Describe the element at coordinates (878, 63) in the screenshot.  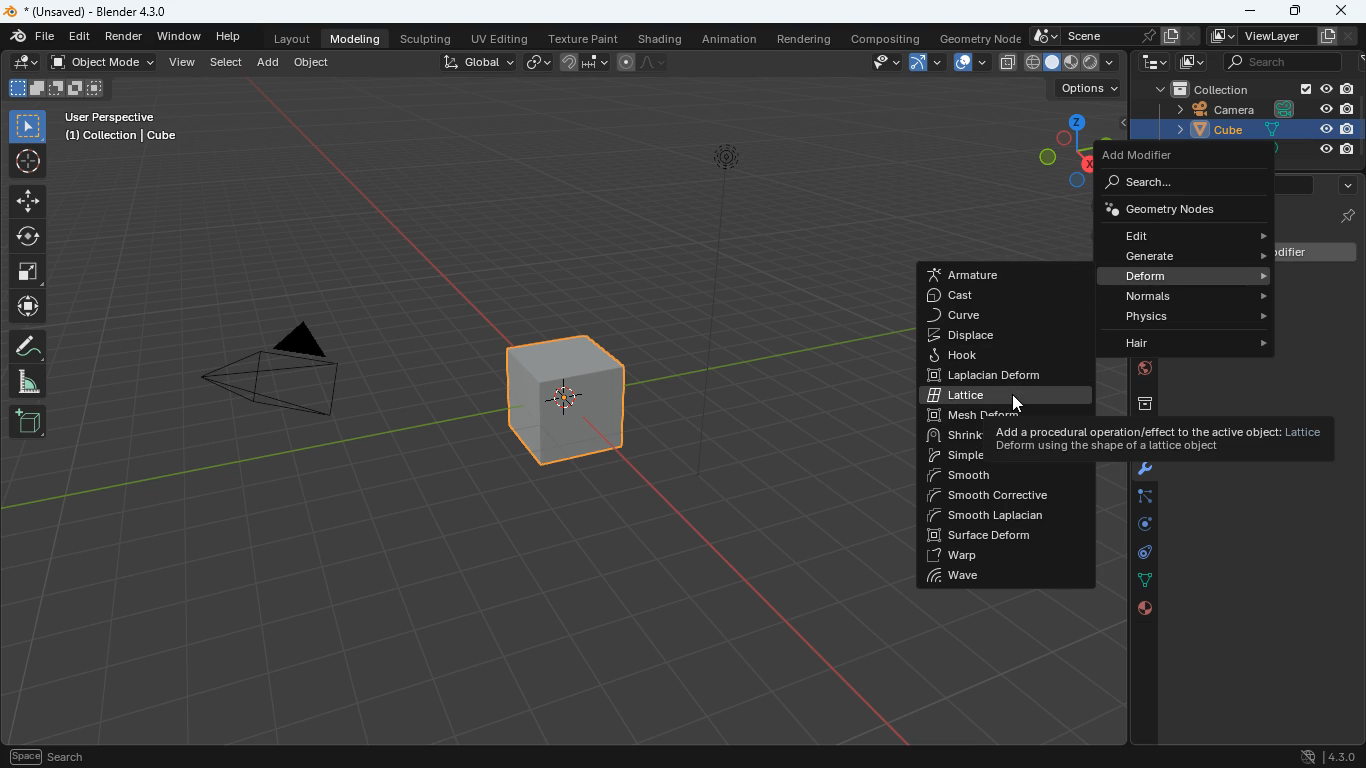
I see `view` at that location.